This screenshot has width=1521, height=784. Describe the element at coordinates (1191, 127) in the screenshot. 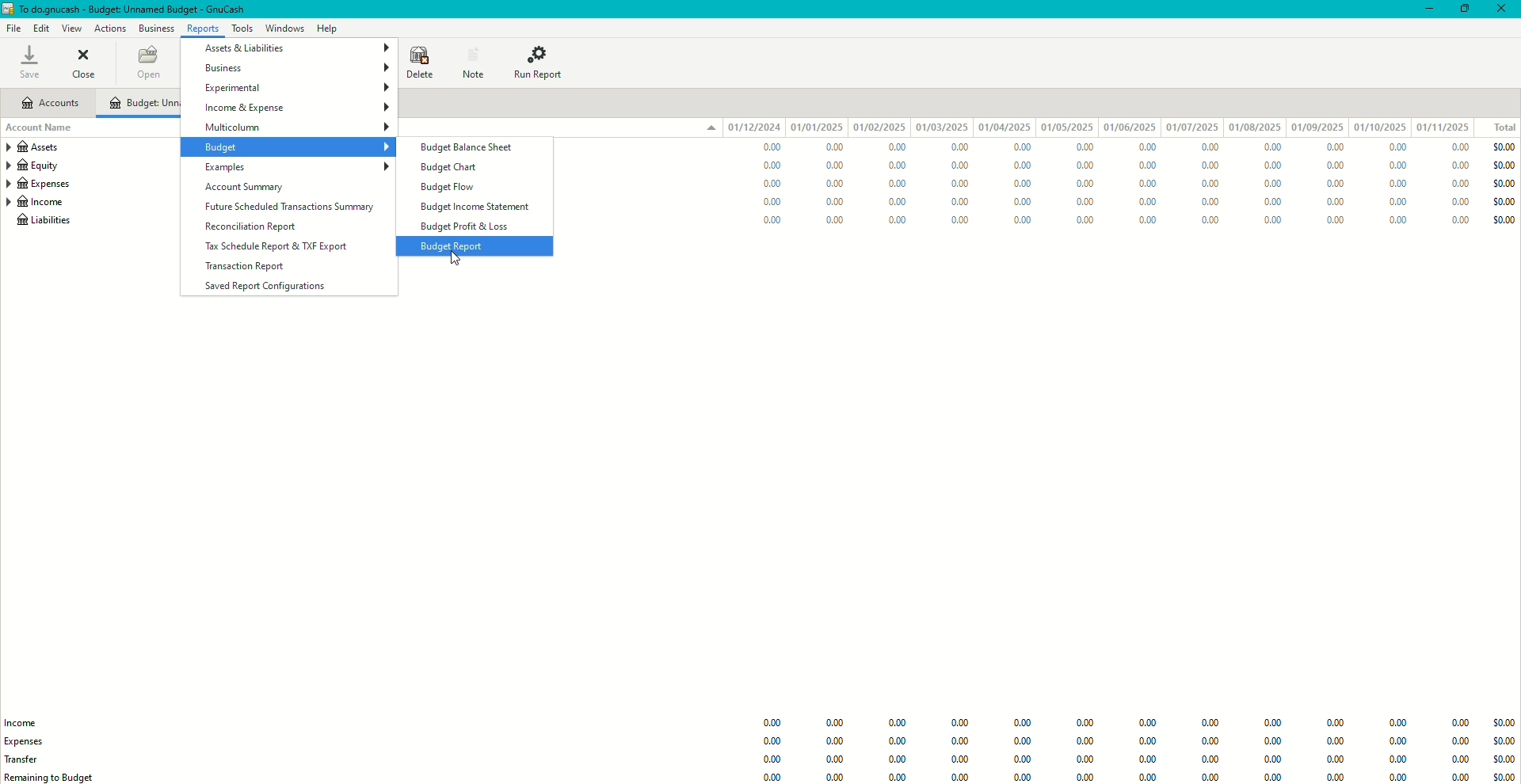

I see `01/07/2025` at that location.